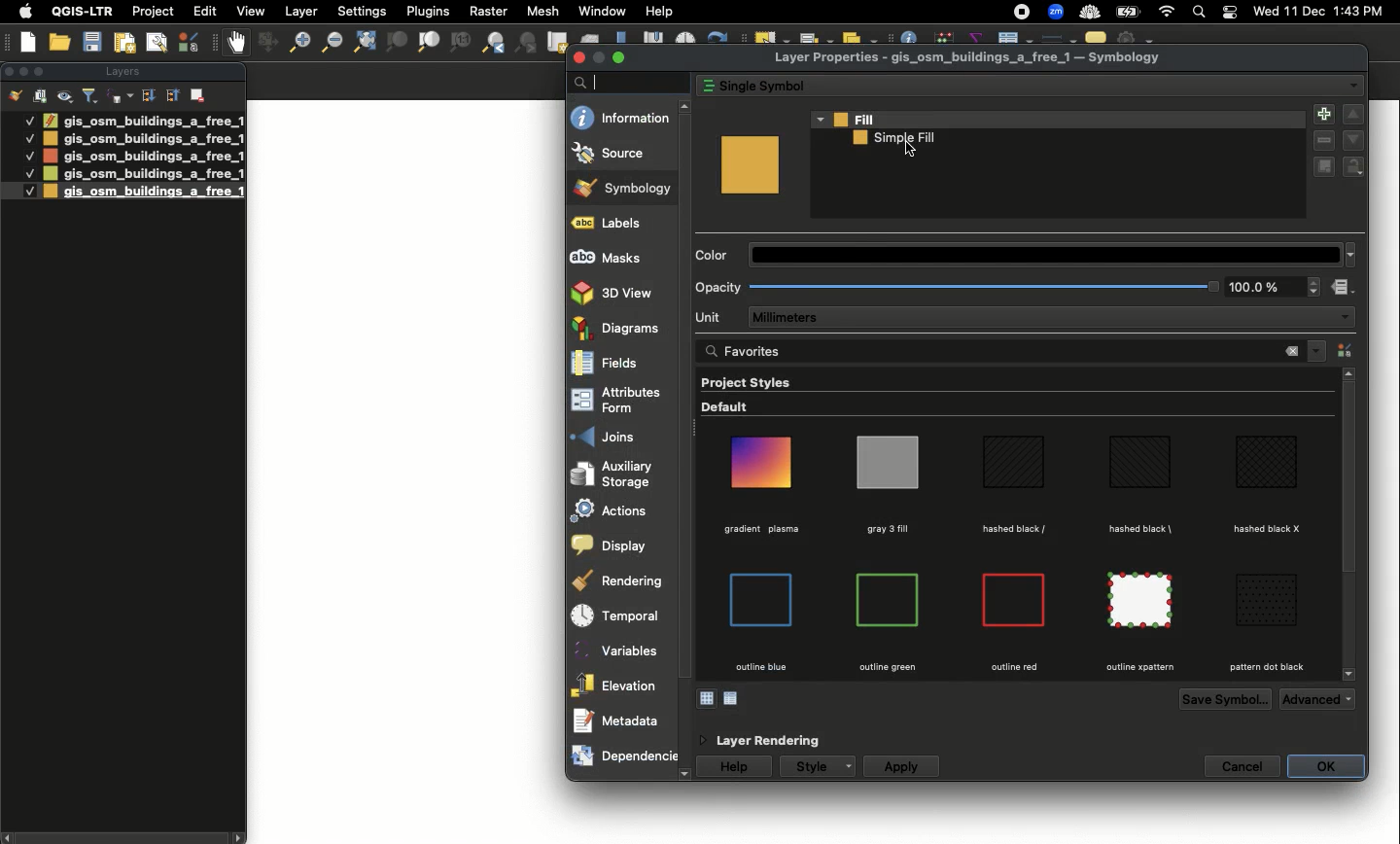  Describe the element at coordinates (970, 58) in the screenshot. I see `Layer Properties - gis_osm_buildings_a_free_1 — Symbology` at that location.